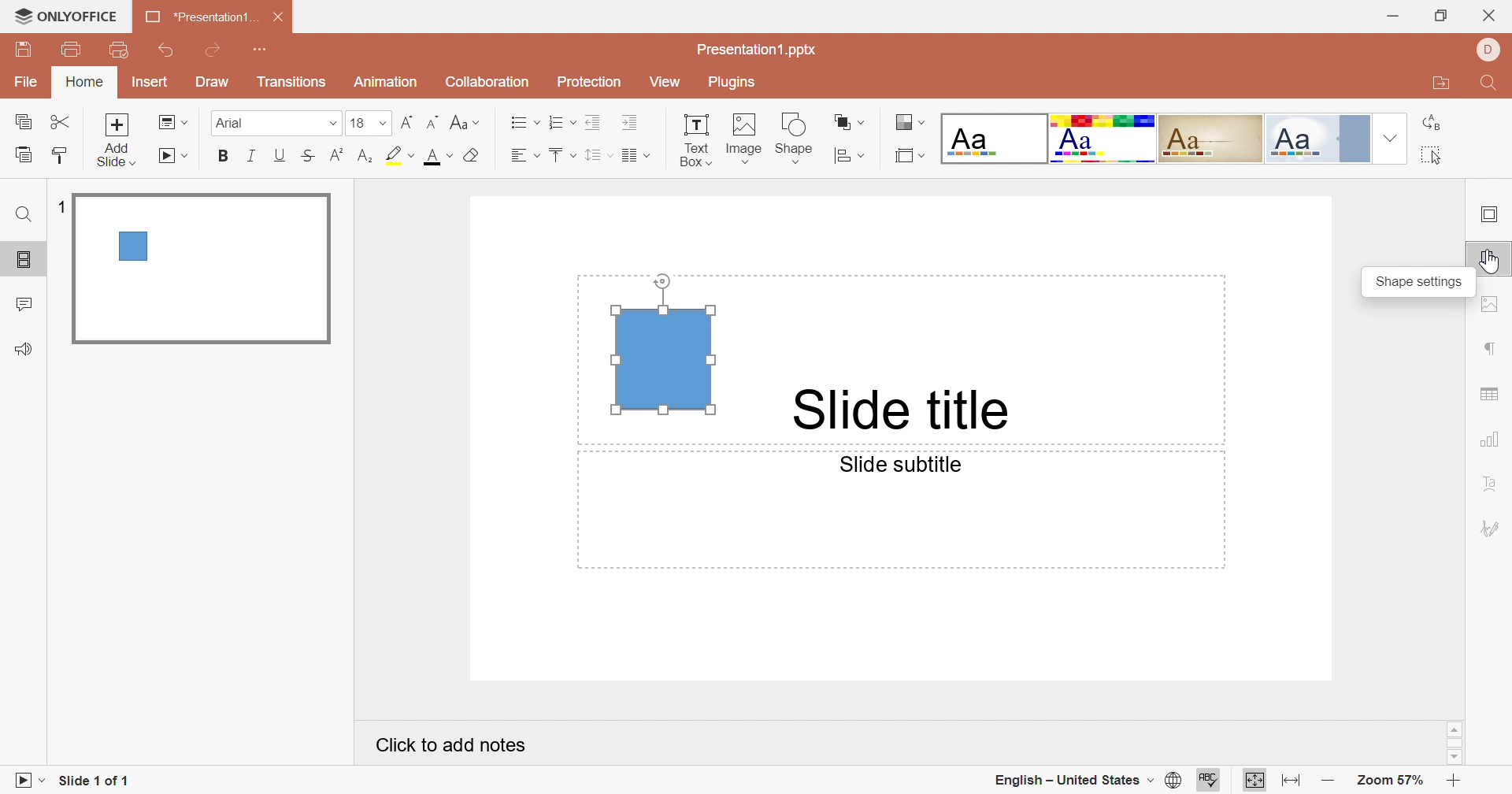 This screenshot has width=1512, height=794. I want to click on Animation, so click(389, 80).